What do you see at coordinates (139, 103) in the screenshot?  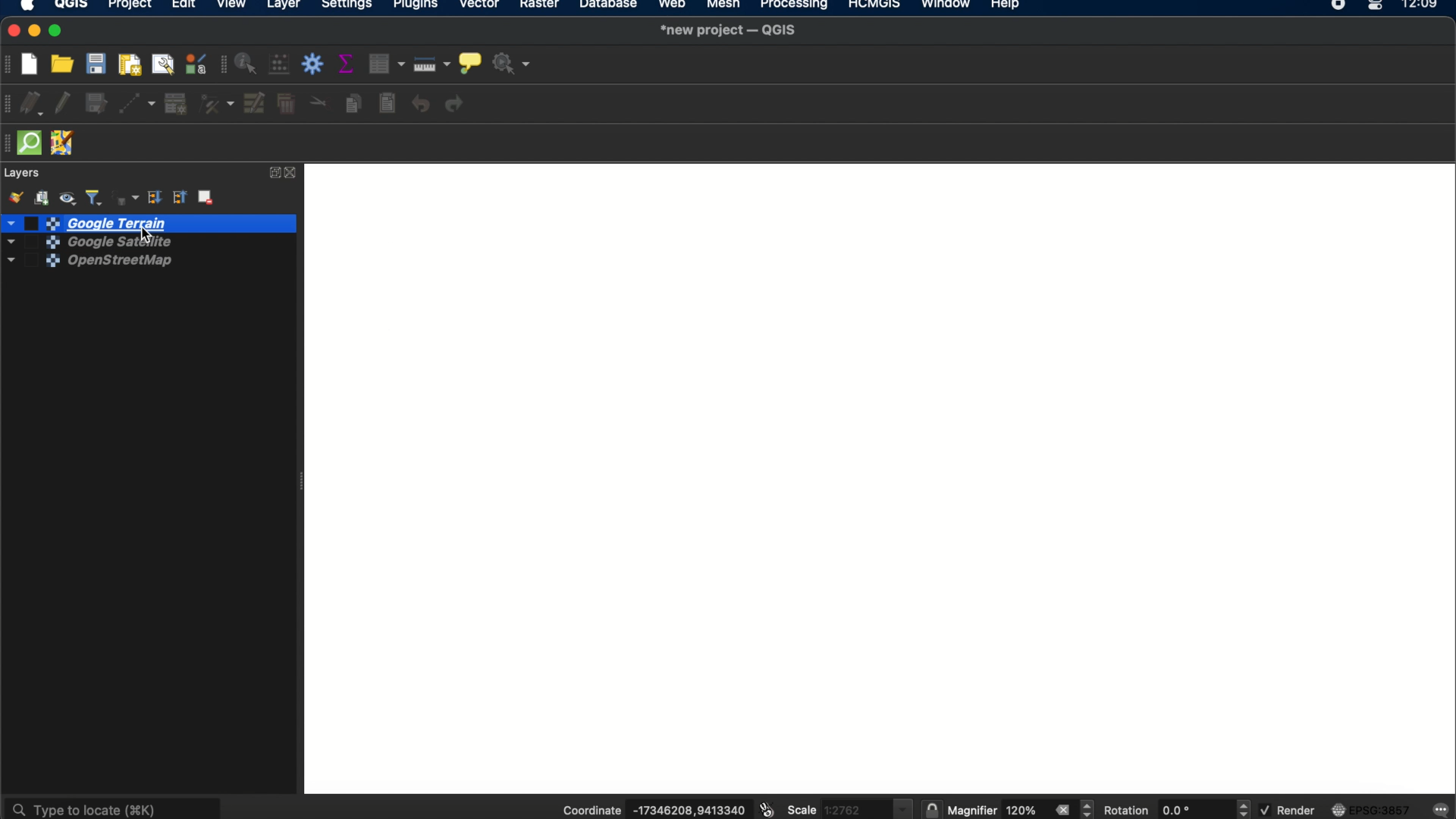 I see `digitize with segment` at bounding box center [139, 103].